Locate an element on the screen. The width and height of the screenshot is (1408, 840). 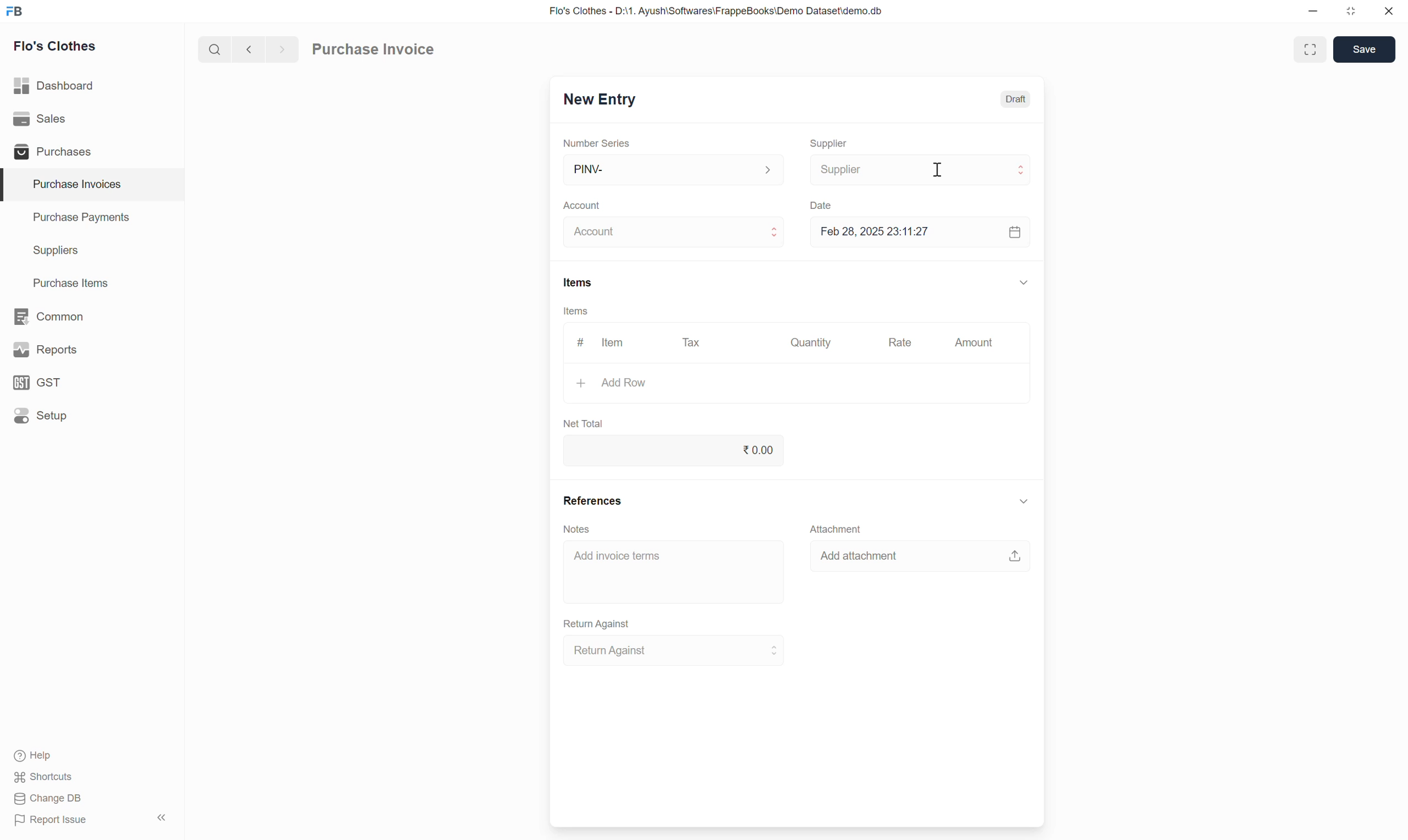
Toggle between form and full width is located at coordinates (1311, 49).